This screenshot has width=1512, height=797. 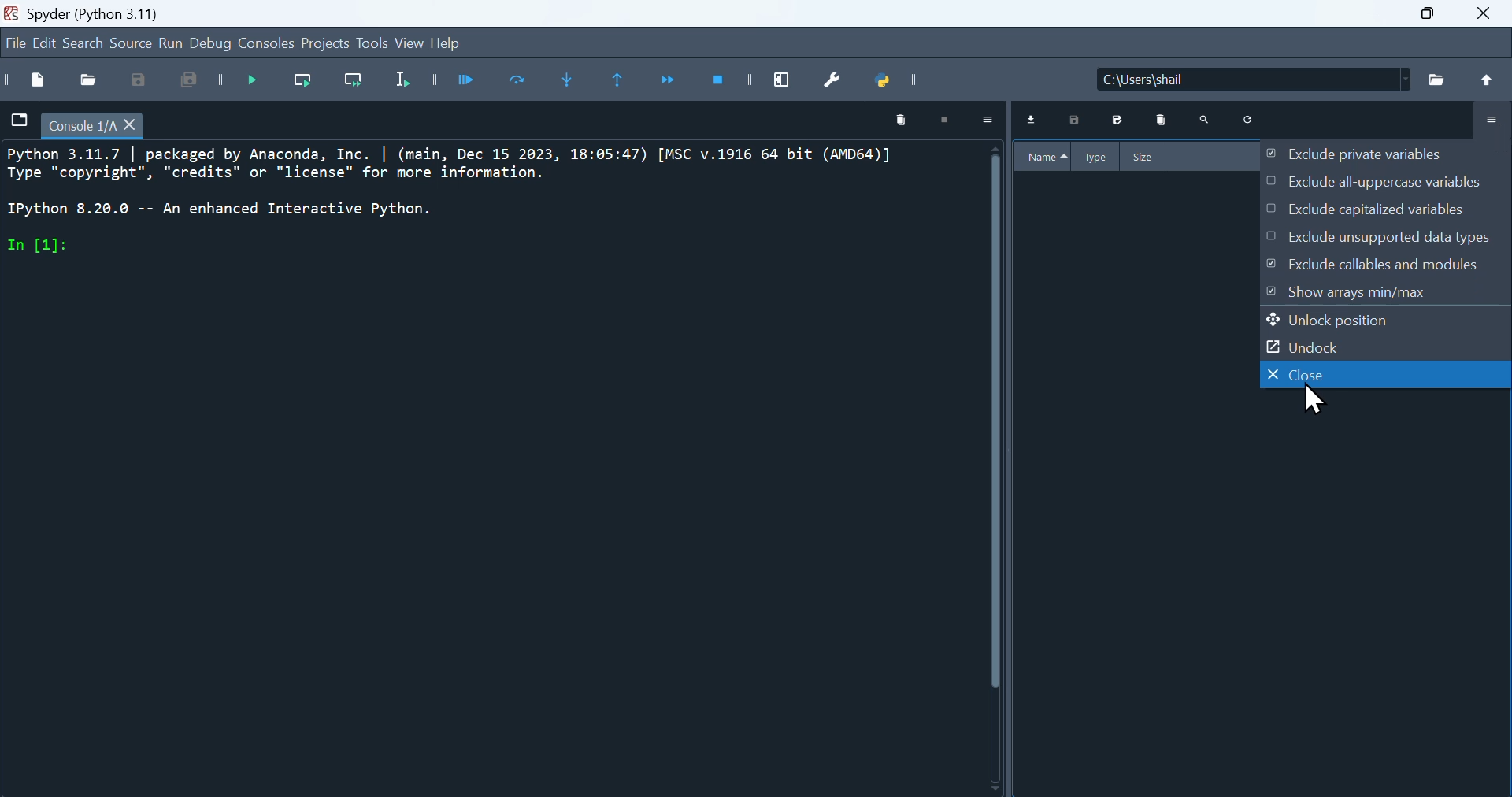 What do you see at coordinates (1101, 157) in the screenshot?
I see `Type` at bounding box center [1101, 157].